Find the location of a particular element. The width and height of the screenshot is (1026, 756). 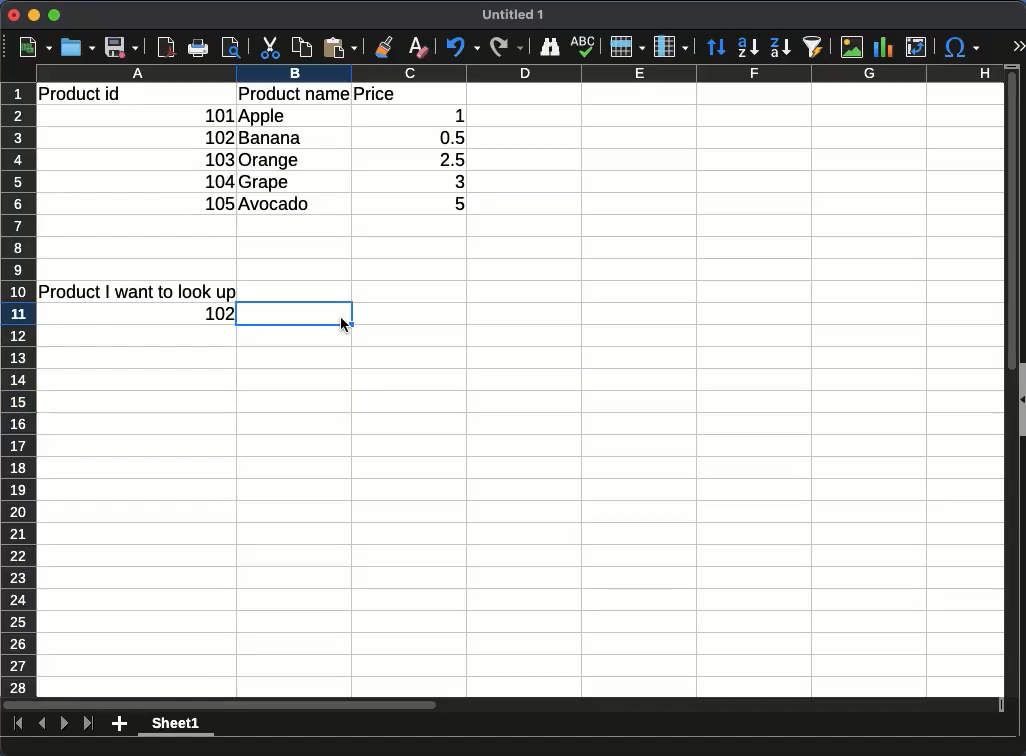

sheet1 is located at coordinates (177, 725).